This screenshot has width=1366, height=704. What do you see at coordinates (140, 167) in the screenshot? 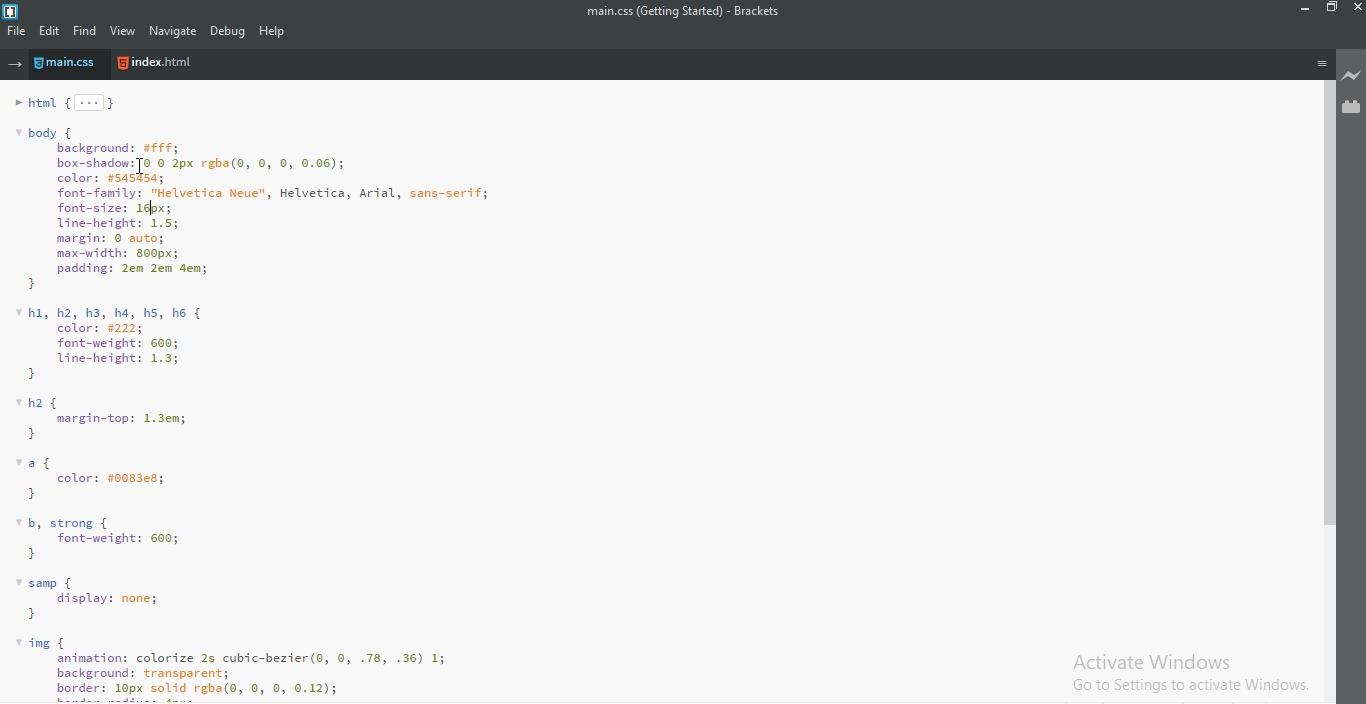
I see `cursor` at bounding box center [140, 167].